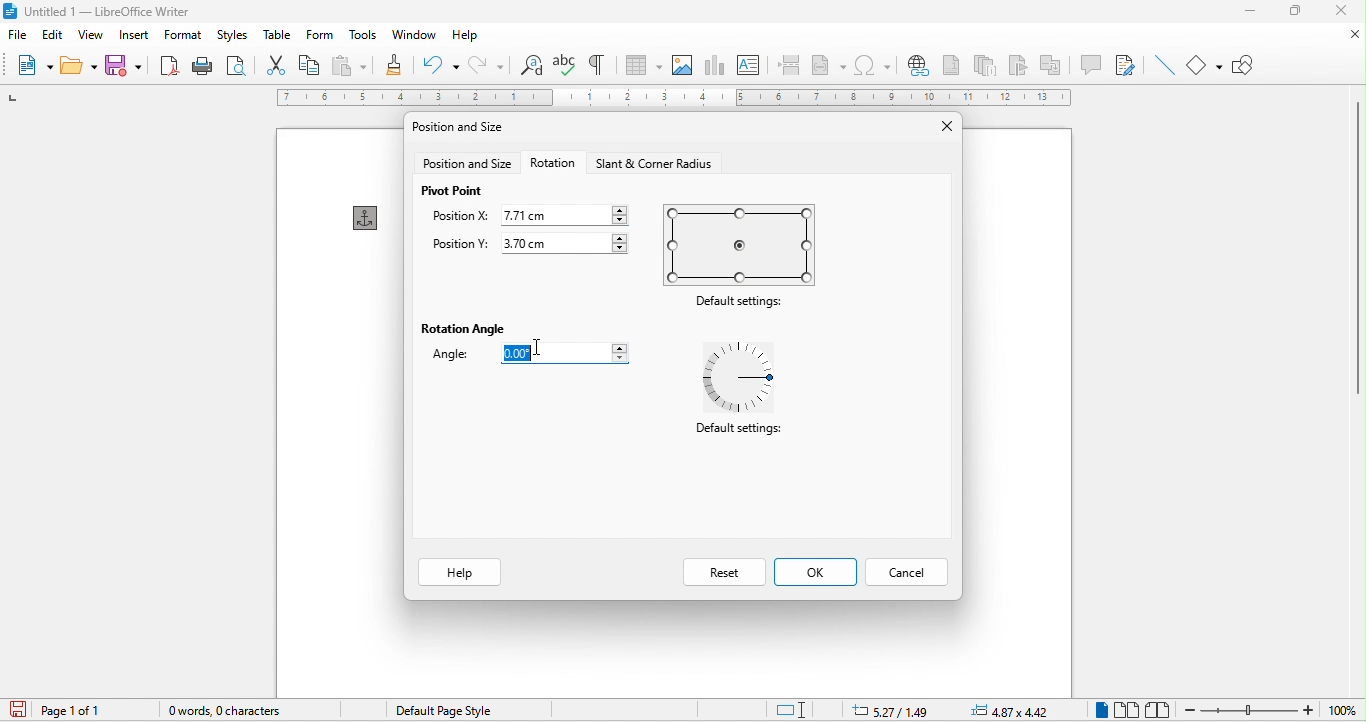 The image size is (1366, 722). Describe the element at coordinates (724, 572) in the screenshot. I see `reset` at that location.